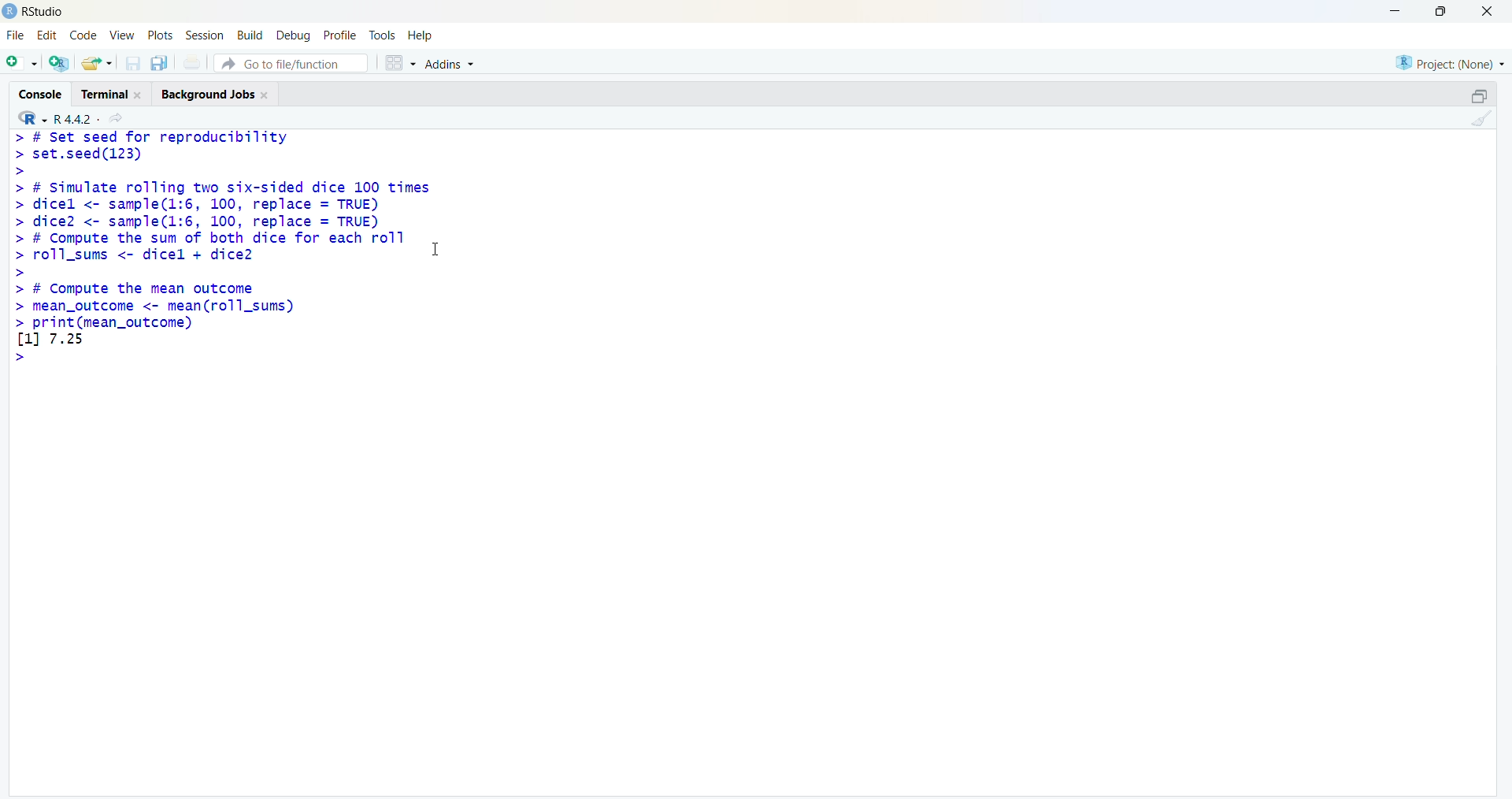 The height and width of the screenshot is (799, 1512). Describe the element at coordinates (401, 63) in the screenshot. I see `grid` at that location.